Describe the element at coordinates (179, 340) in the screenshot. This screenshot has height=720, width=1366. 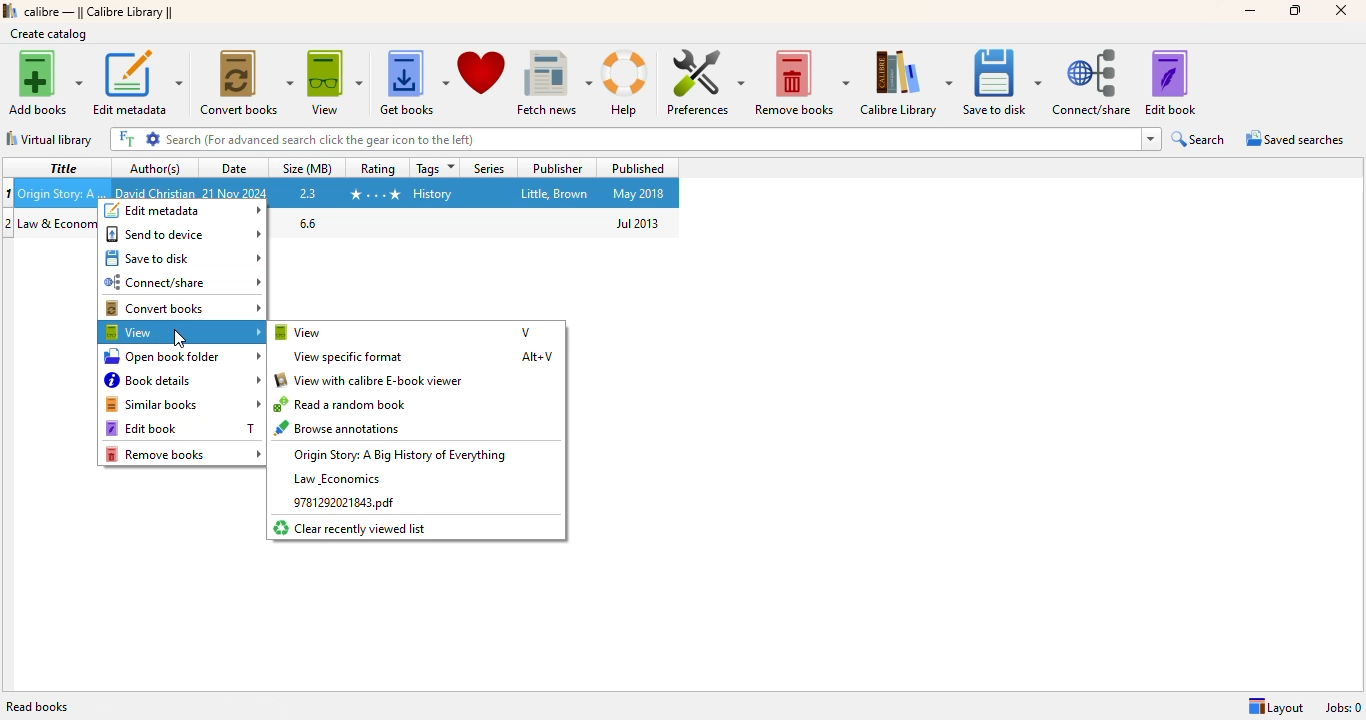
I see `cursor` at that location.